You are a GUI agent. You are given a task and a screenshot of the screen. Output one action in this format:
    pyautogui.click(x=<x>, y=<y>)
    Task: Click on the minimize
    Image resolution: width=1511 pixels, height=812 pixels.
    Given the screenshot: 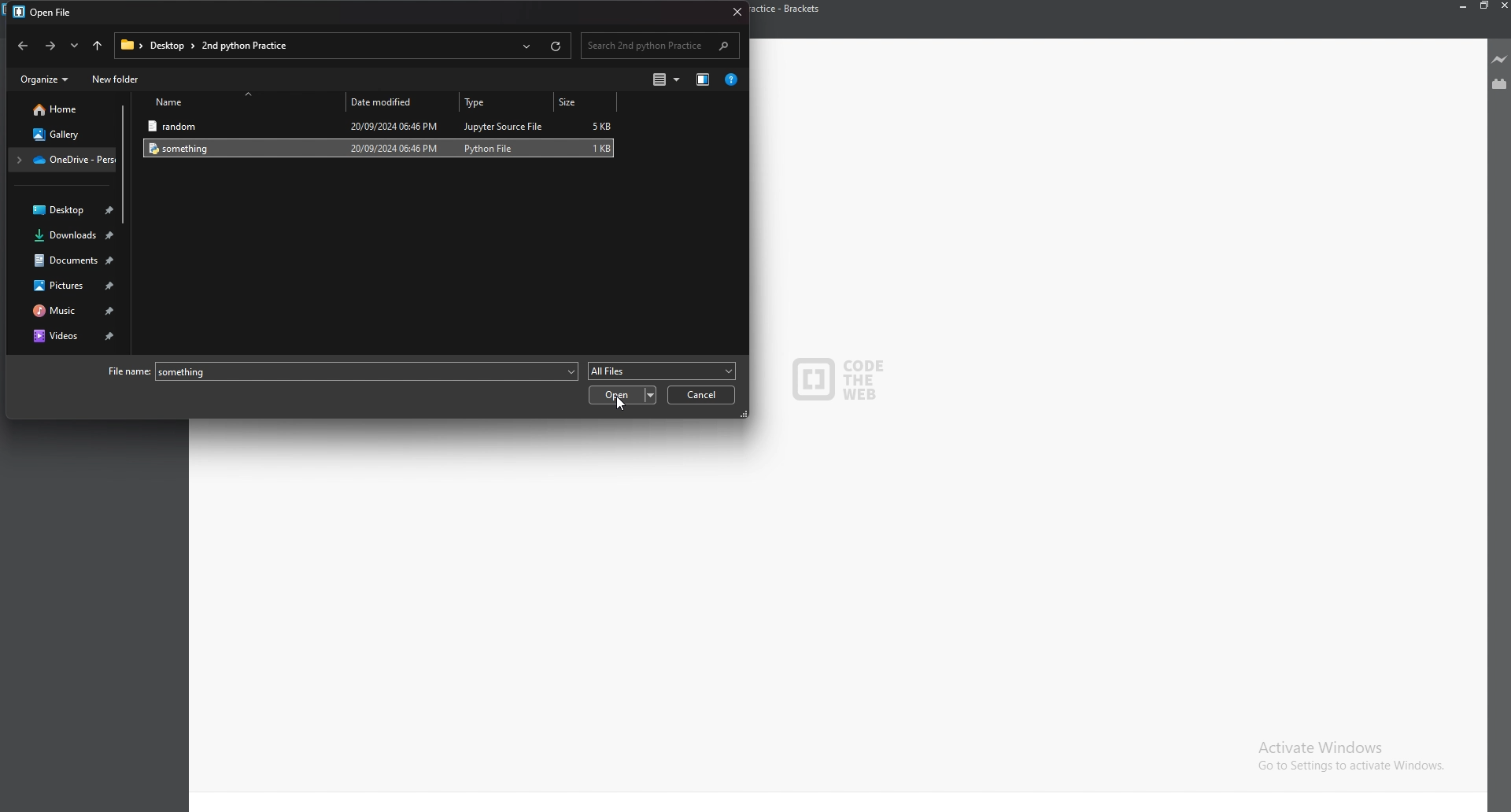 What is the action you would take?
    pyautogui.click(x=1464, y=6)
    